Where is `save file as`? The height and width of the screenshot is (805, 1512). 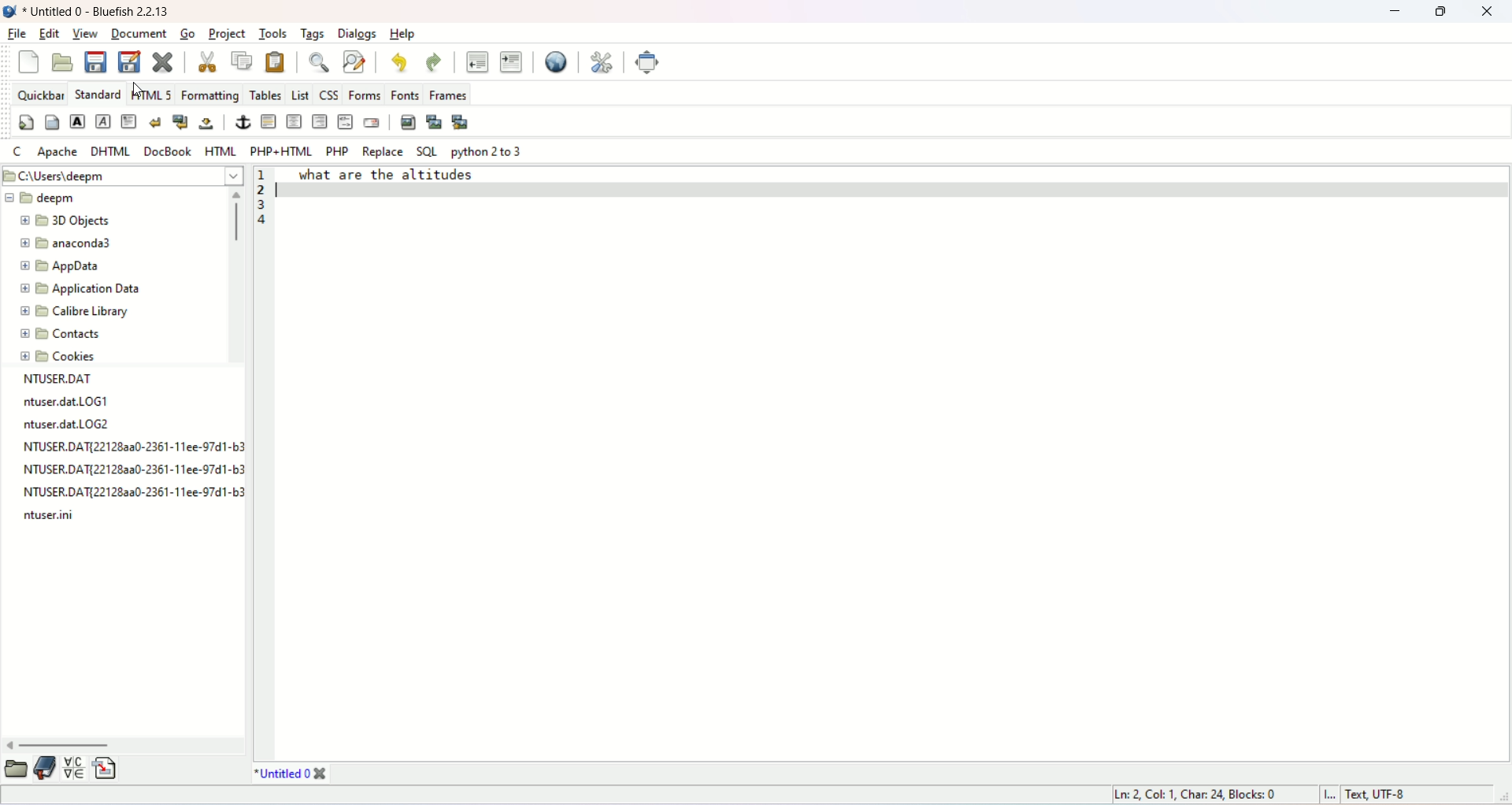
save file as is located at coordinates (129, 61).